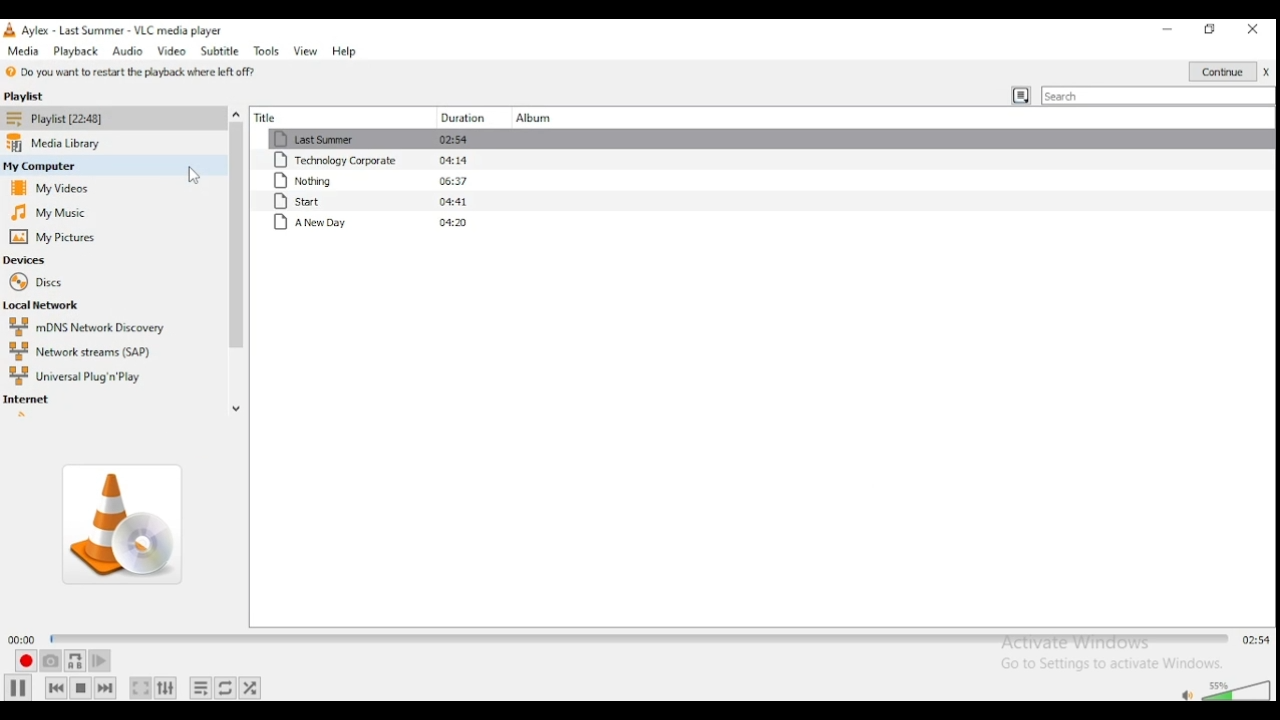 Image resolution: width=1280 pixels, height=720 pixels. I want to click on my computer, so click(48, 164).